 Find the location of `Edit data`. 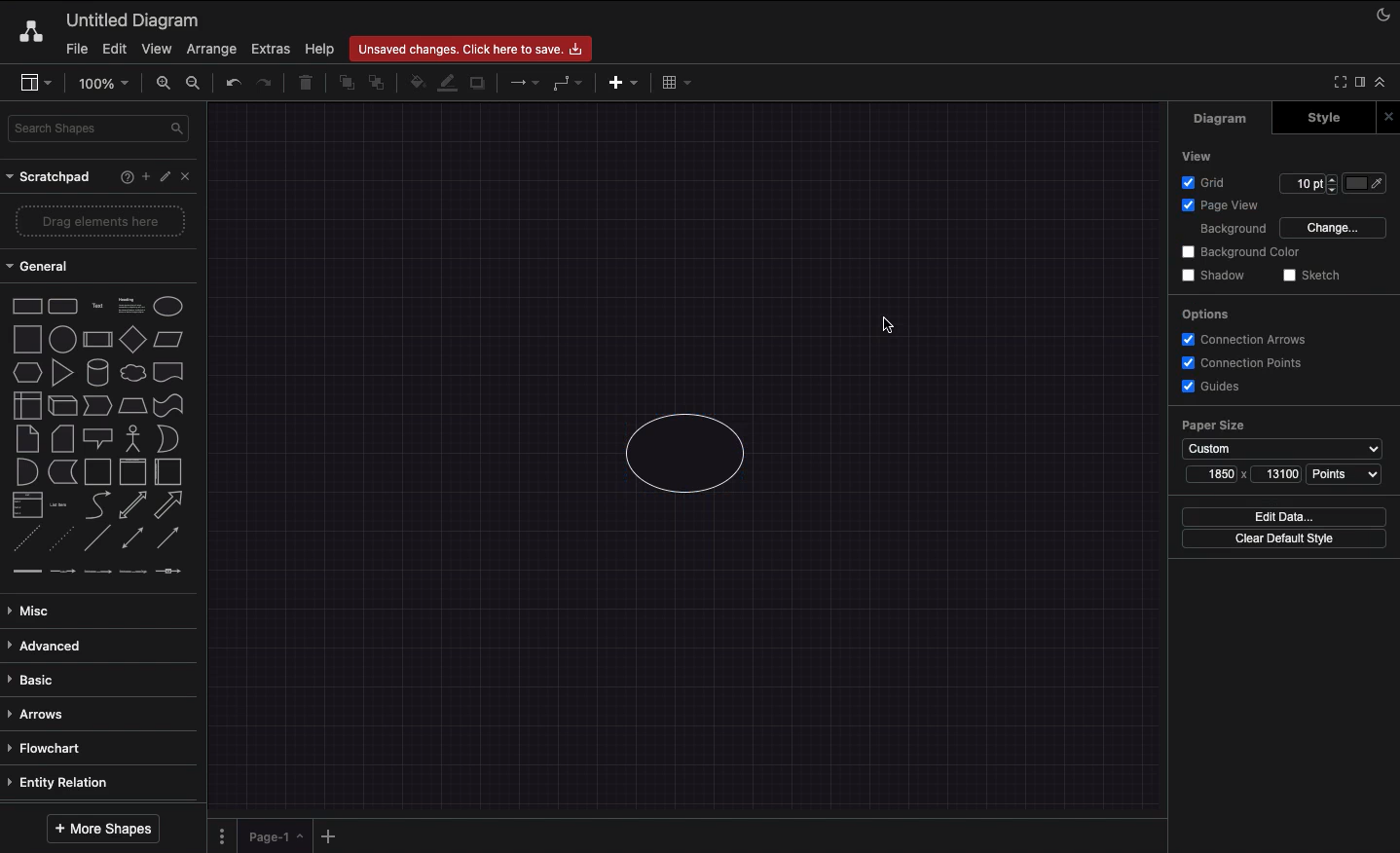

Edit data is located at coordinates (1284, 516).